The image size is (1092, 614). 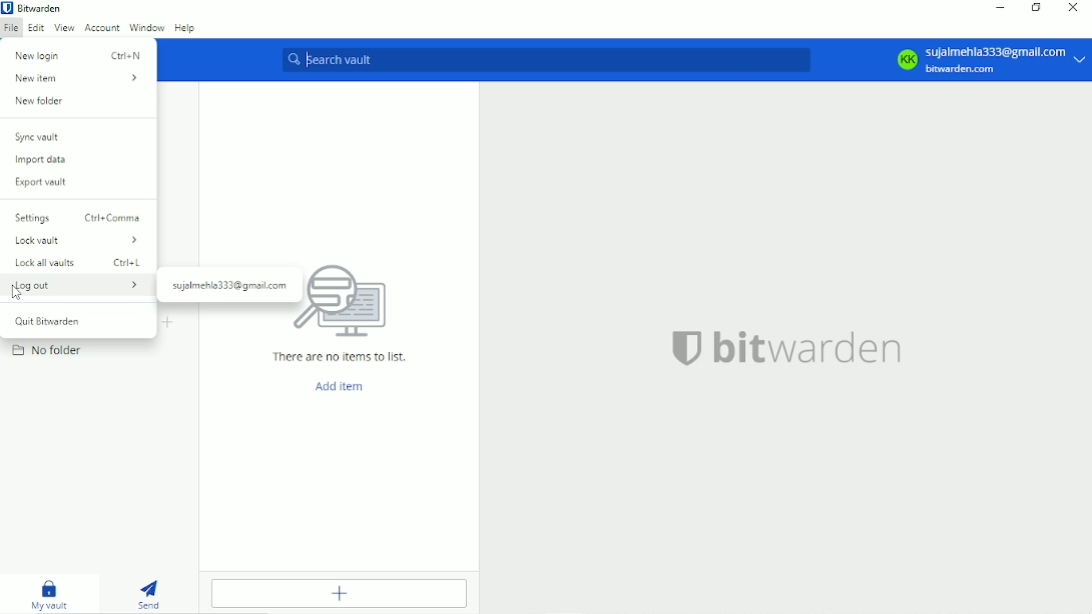 What do you see at coordinates (148, 593) in the screenshot?
I see `Send` at bounding box center [148, 593].